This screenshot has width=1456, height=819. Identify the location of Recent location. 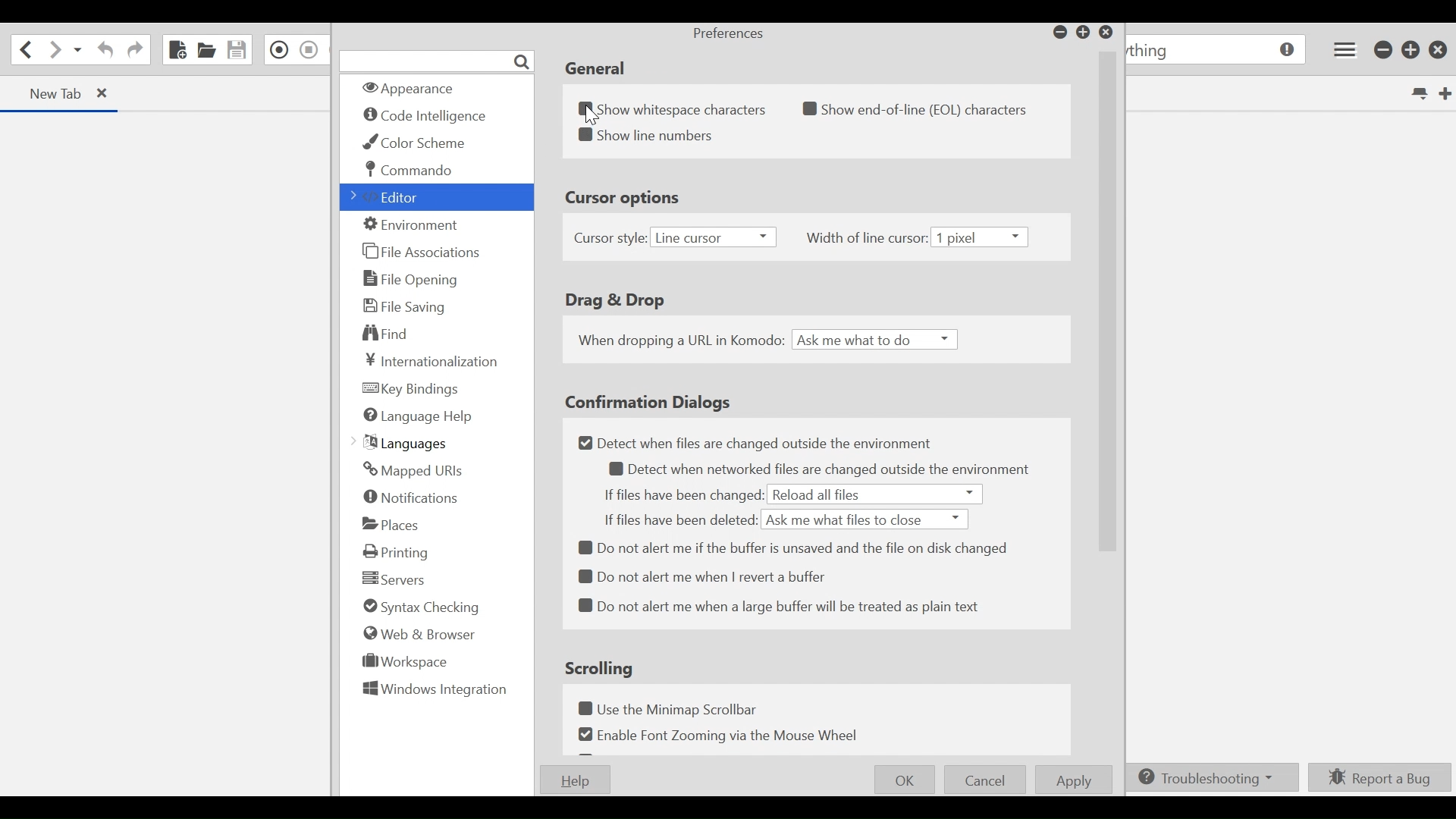
(78, 51).